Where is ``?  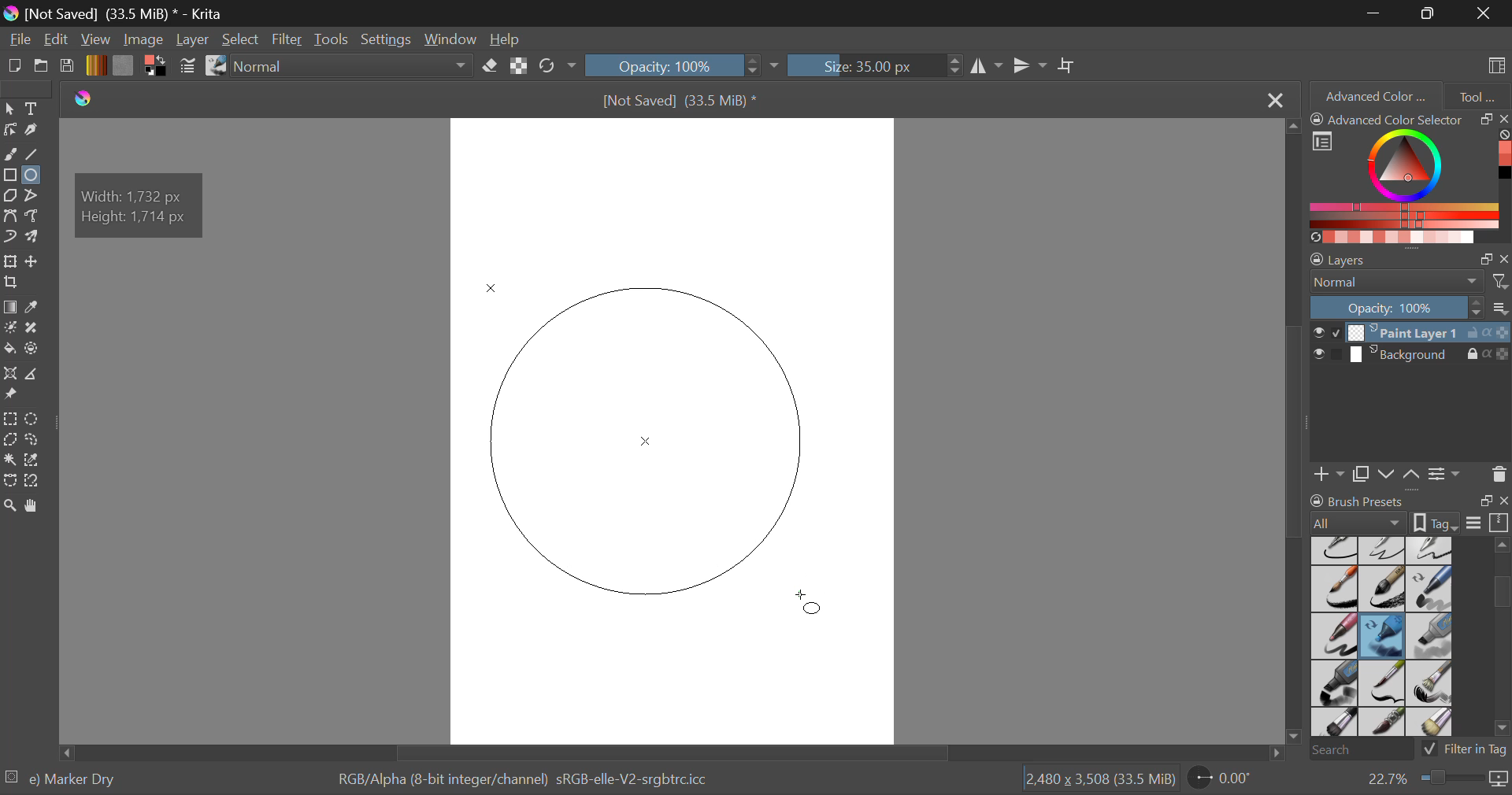  is located at coordinates (57, 41).